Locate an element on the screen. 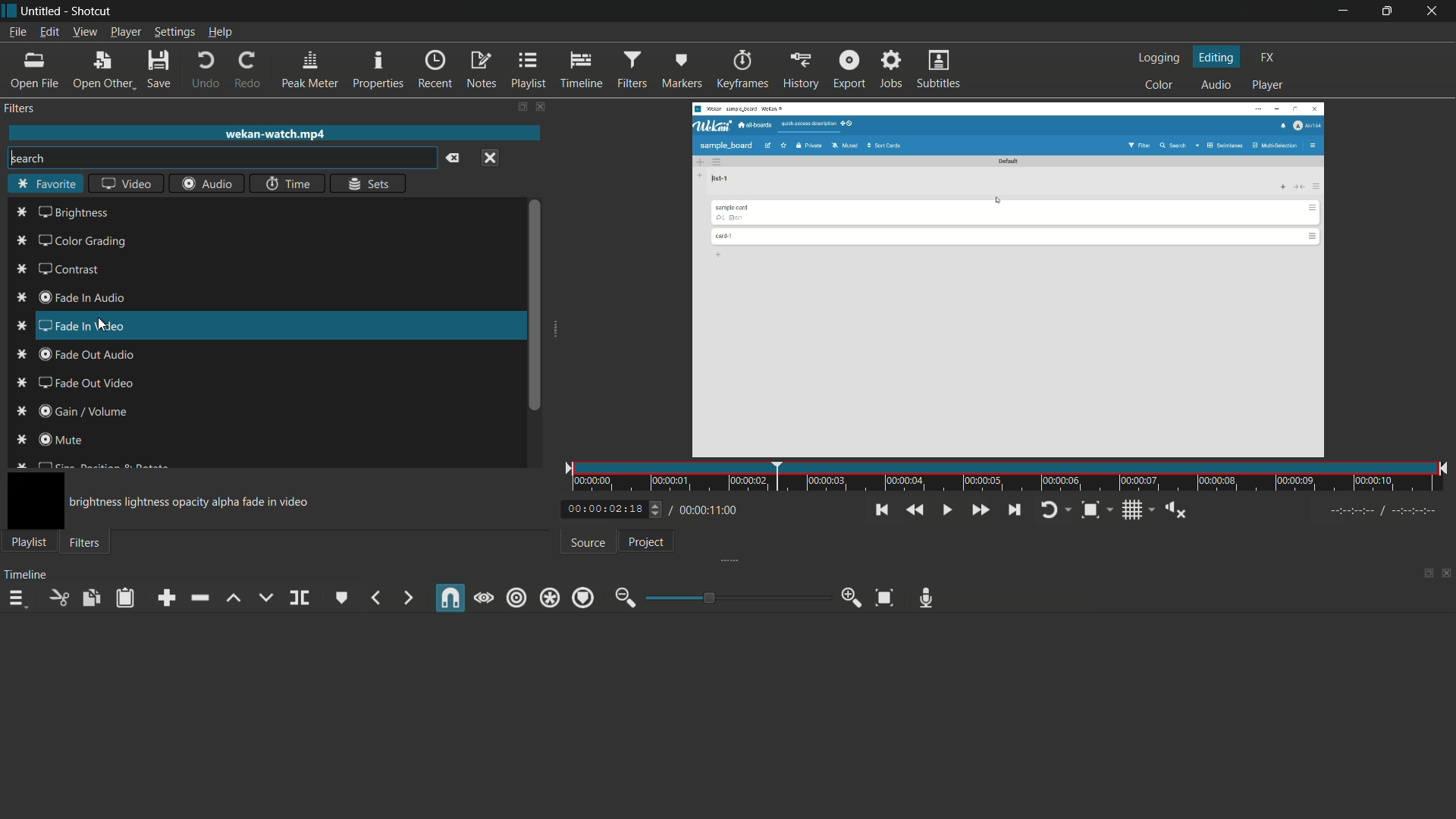 This screenshot has height=819, width=1456. audio is located at coordinates (1216, 86).